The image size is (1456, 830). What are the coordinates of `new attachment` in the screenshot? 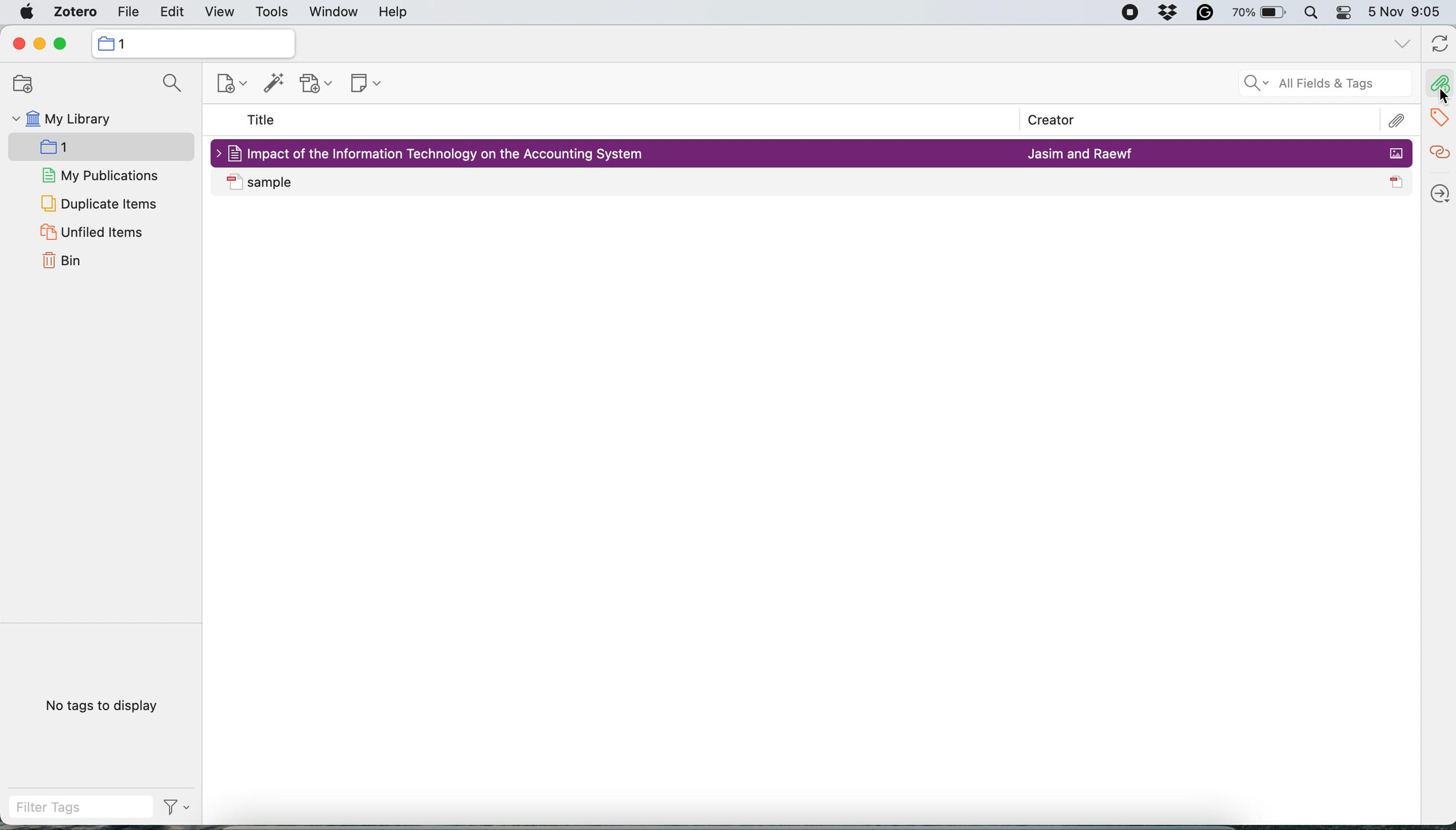 It's located at (318, 83).